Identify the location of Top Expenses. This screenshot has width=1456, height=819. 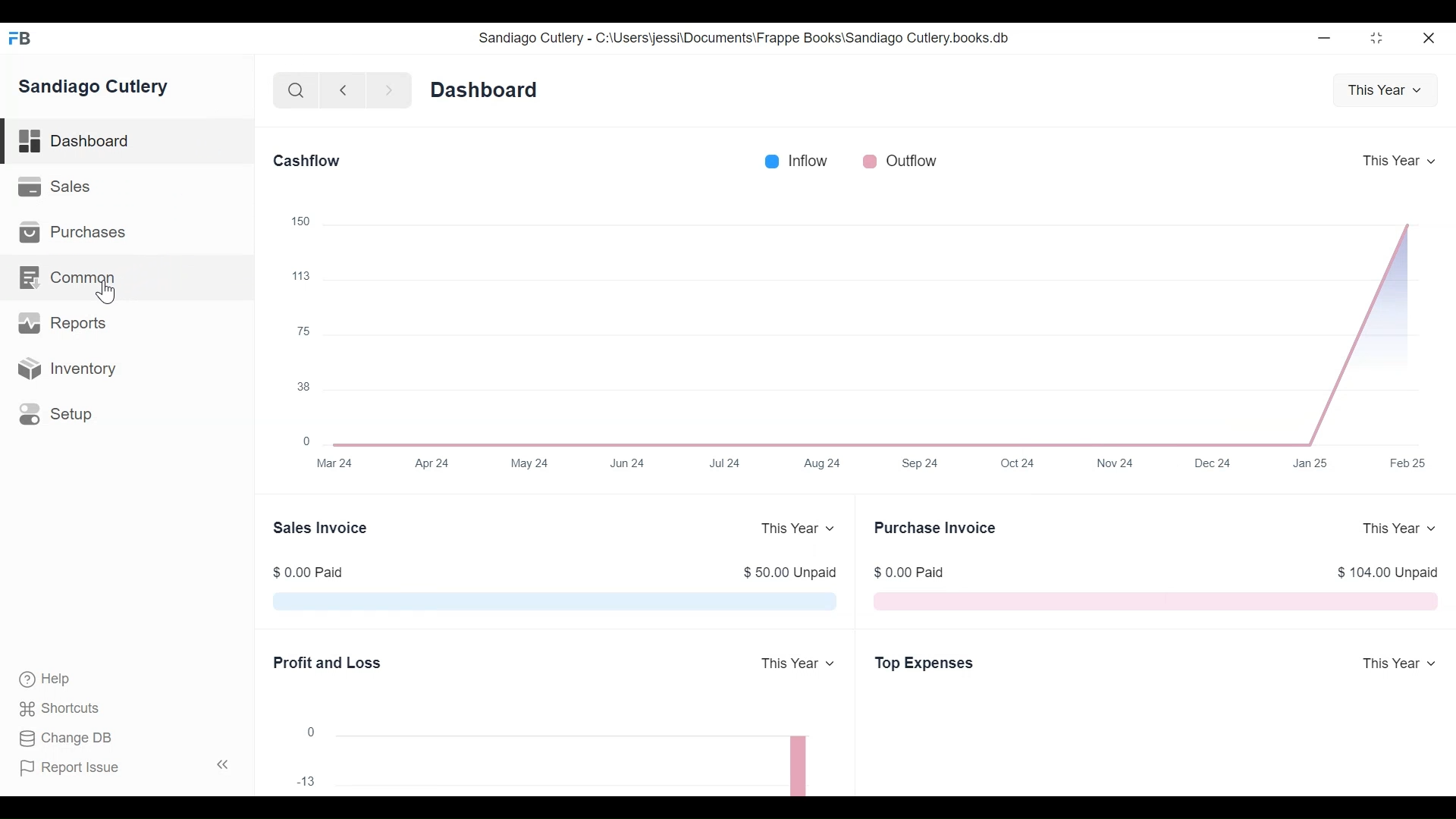
(926, 663).